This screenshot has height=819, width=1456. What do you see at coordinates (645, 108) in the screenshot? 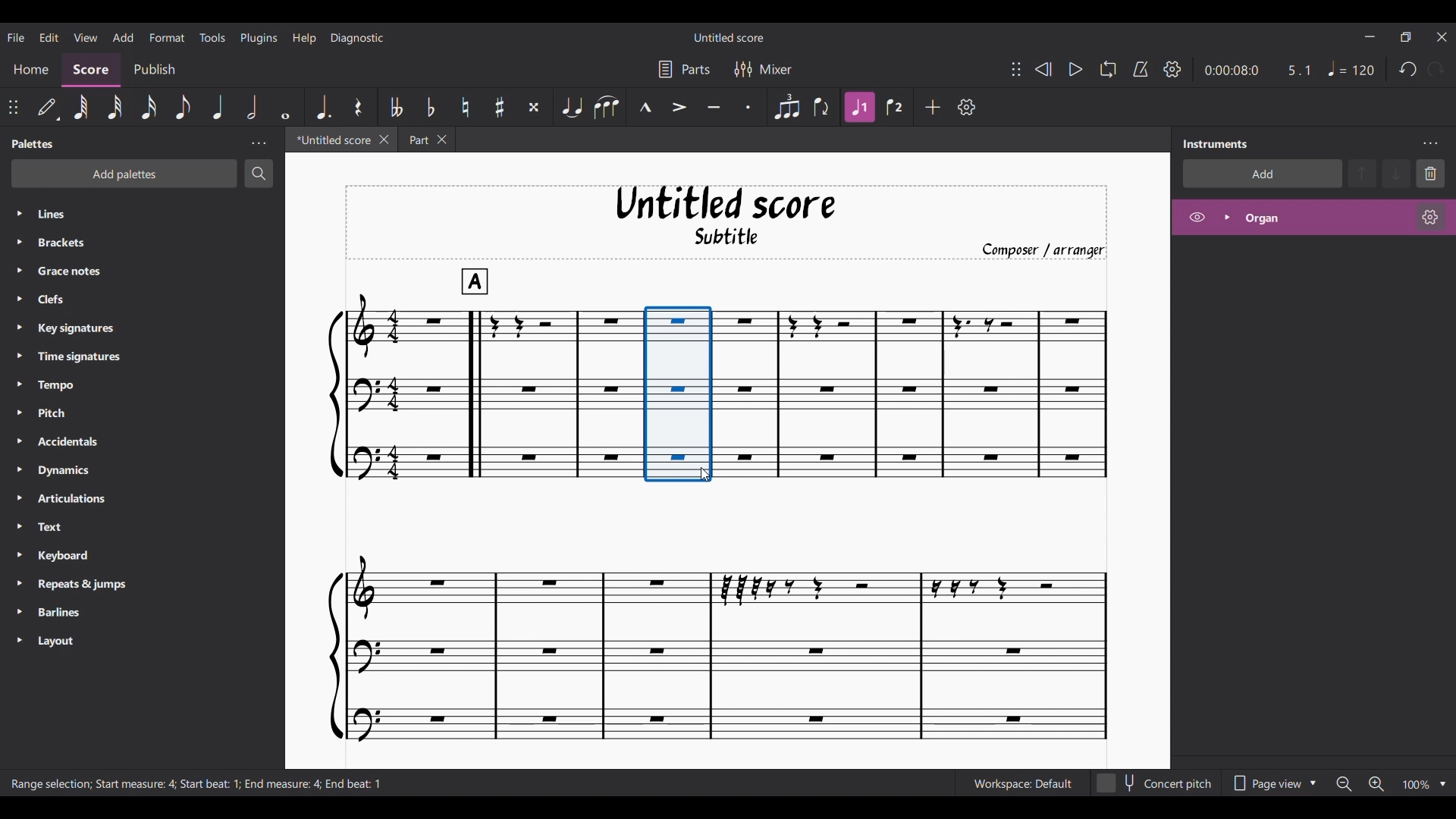
I see `Marcato` at bounding box center [645, 108].